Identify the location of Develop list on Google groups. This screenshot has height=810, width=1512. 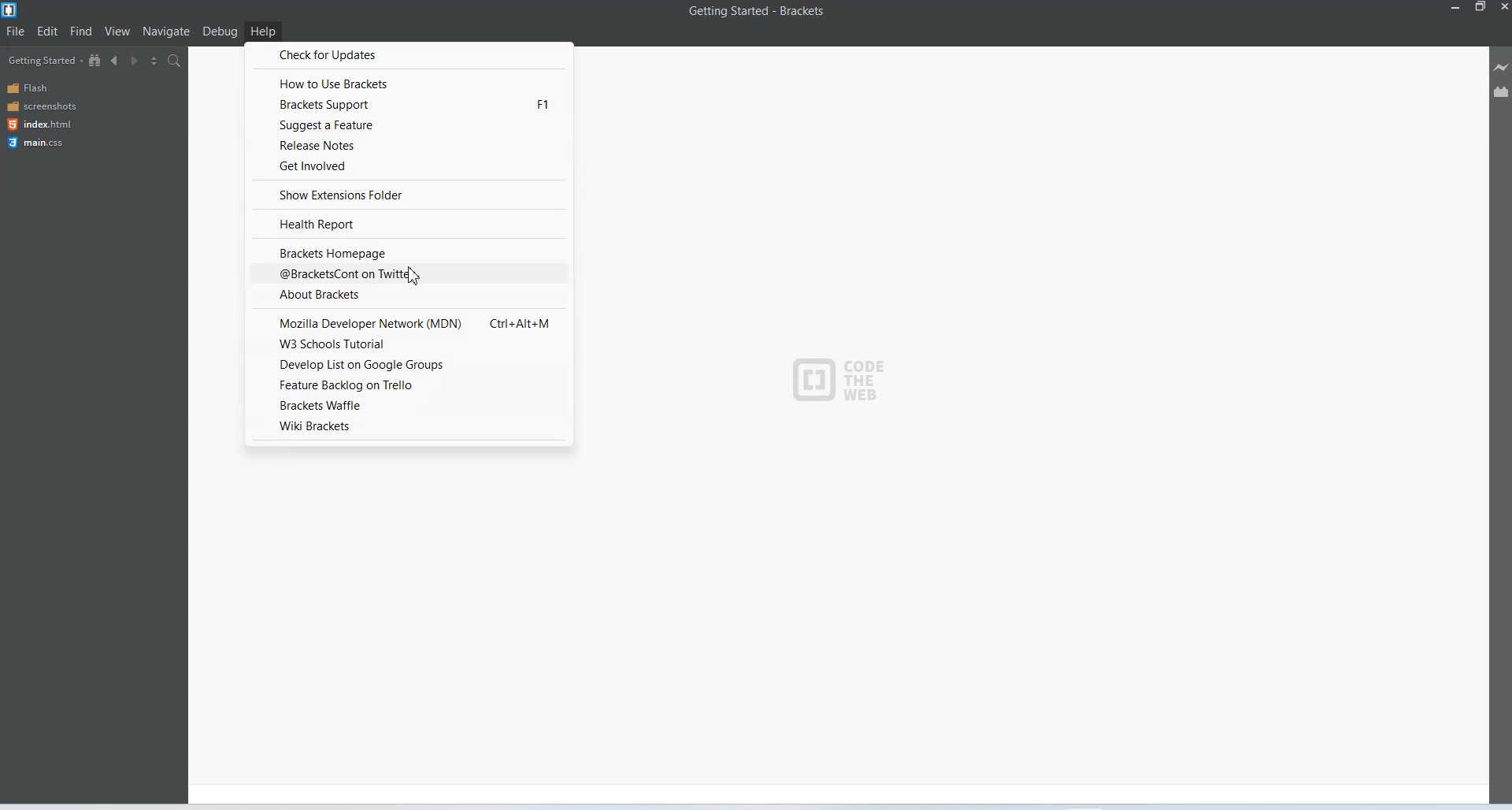
(408, 366).